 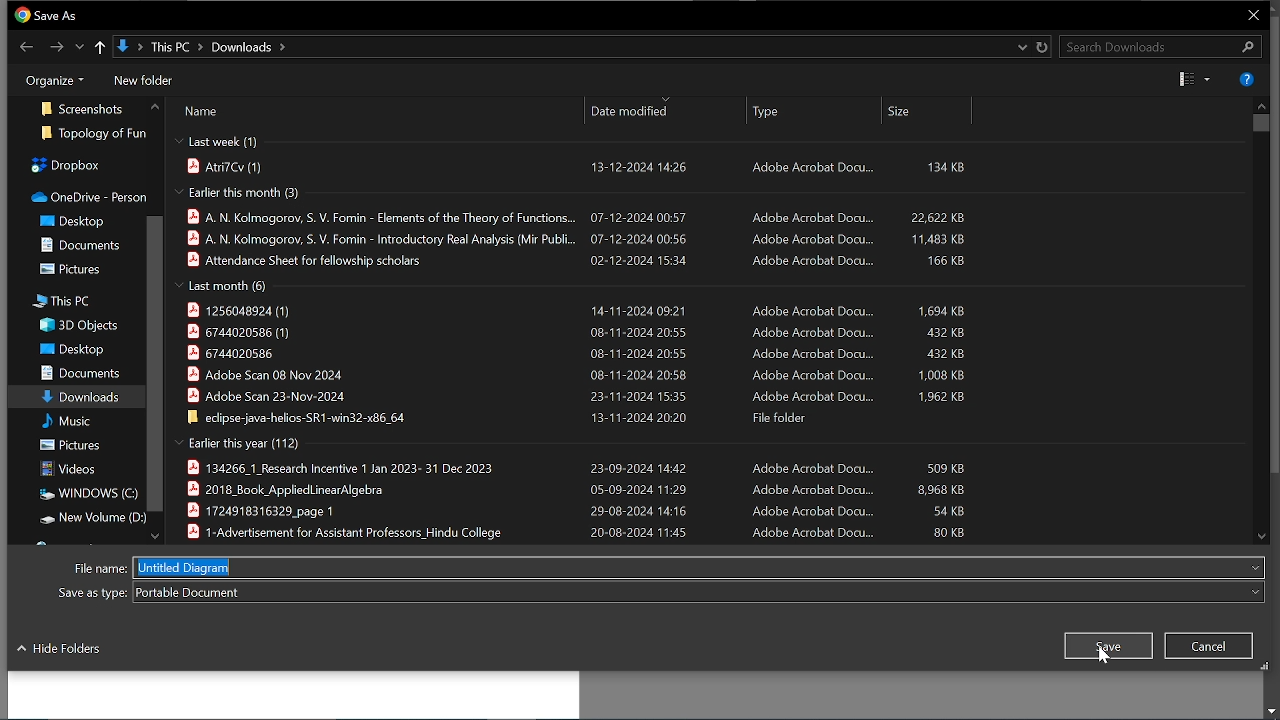 I want to click on ‘Adobe Acrobat Docu..., so click(x=812, y=469).